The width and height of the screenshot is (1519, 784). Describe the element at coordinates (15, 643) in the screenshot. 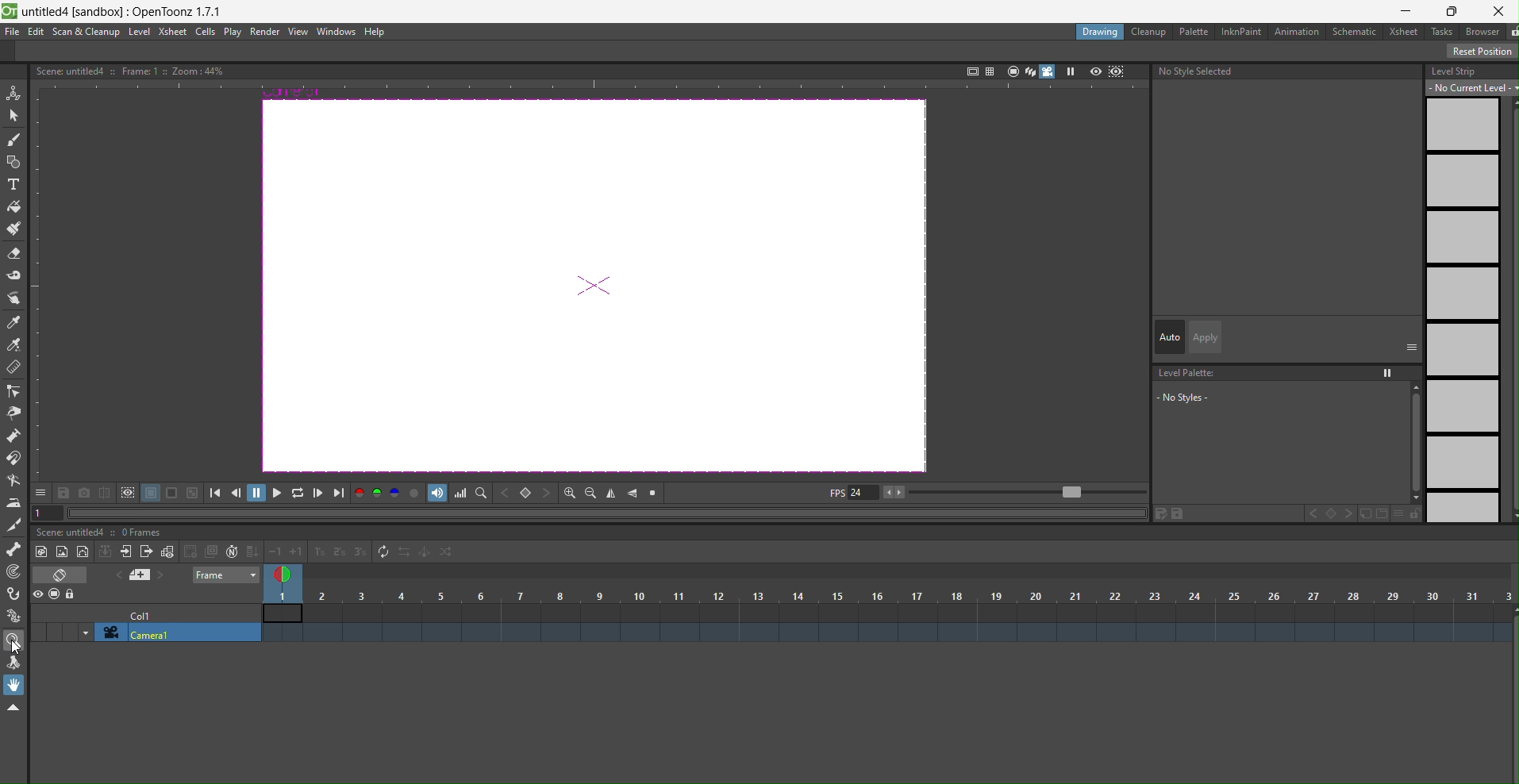

I see `cursor` at that location.